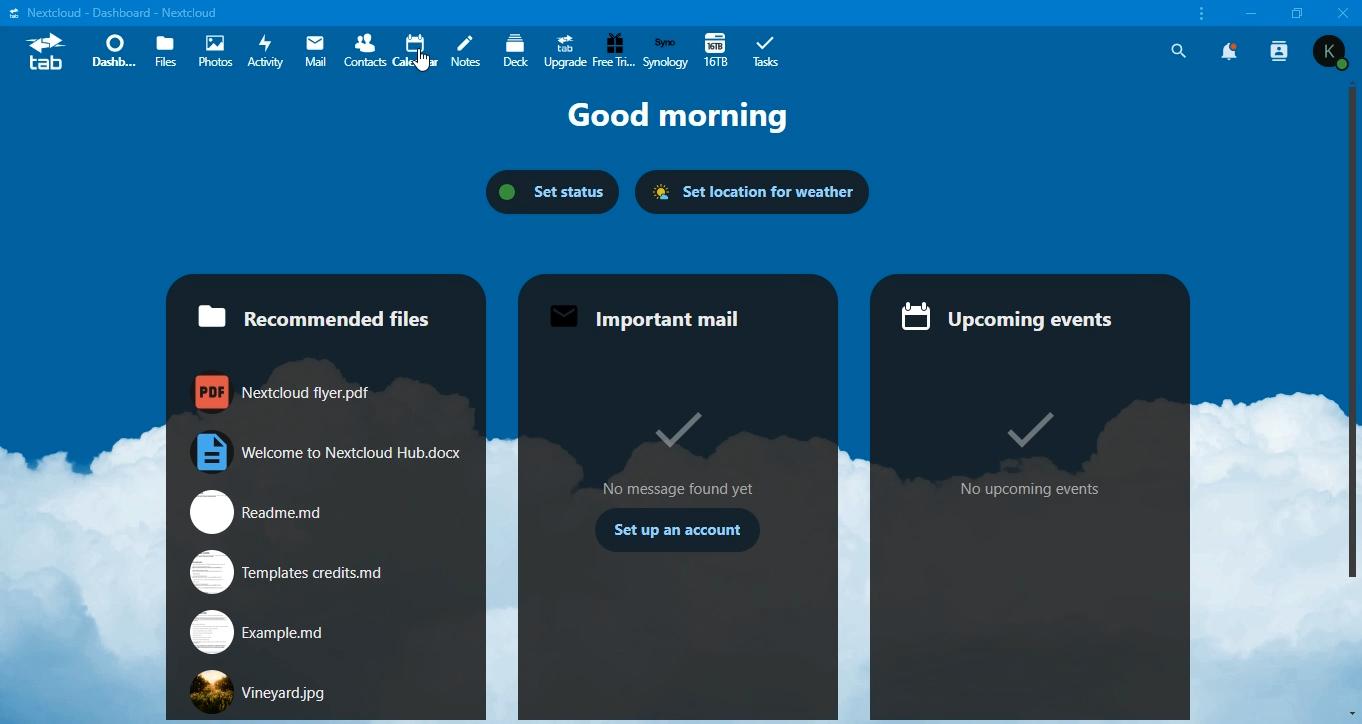 The image size is (1362, 724). Describe the element at coordinates (416, 50) in the screenshot. I see `calendar` at that location.